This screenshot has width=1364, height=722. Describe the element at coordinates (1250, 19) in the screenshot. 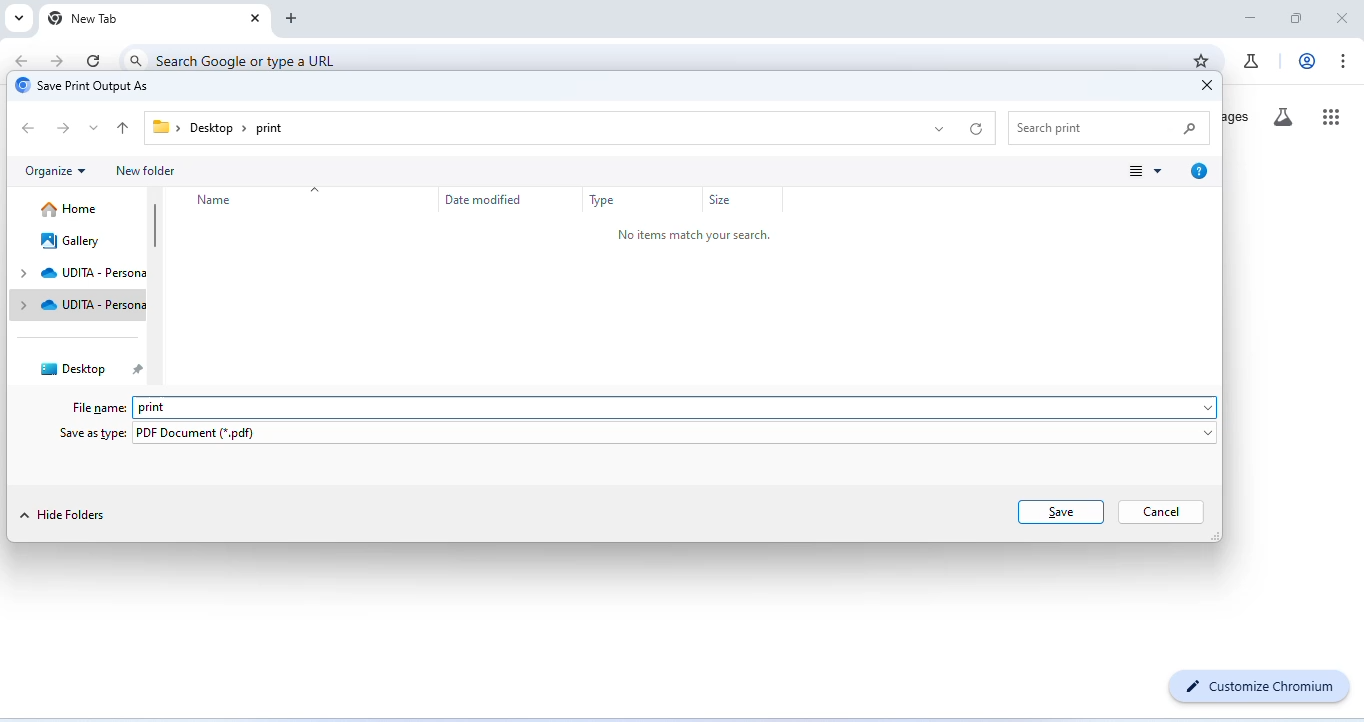

I see `minimize` at that location.